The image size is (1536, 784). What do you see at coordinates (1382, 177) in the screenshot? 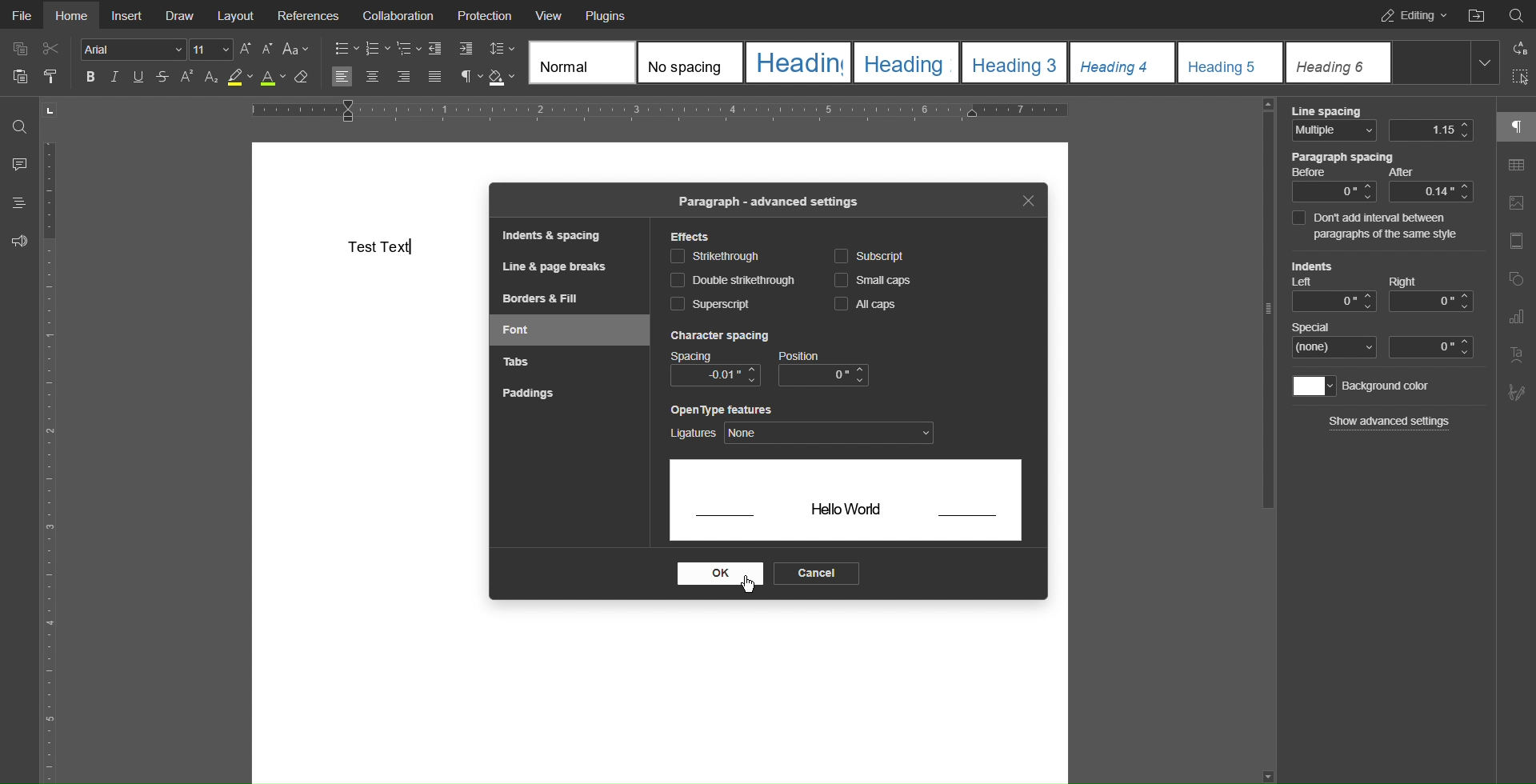
I see `Paragraph spacing` at bounding box center [1382, 177].